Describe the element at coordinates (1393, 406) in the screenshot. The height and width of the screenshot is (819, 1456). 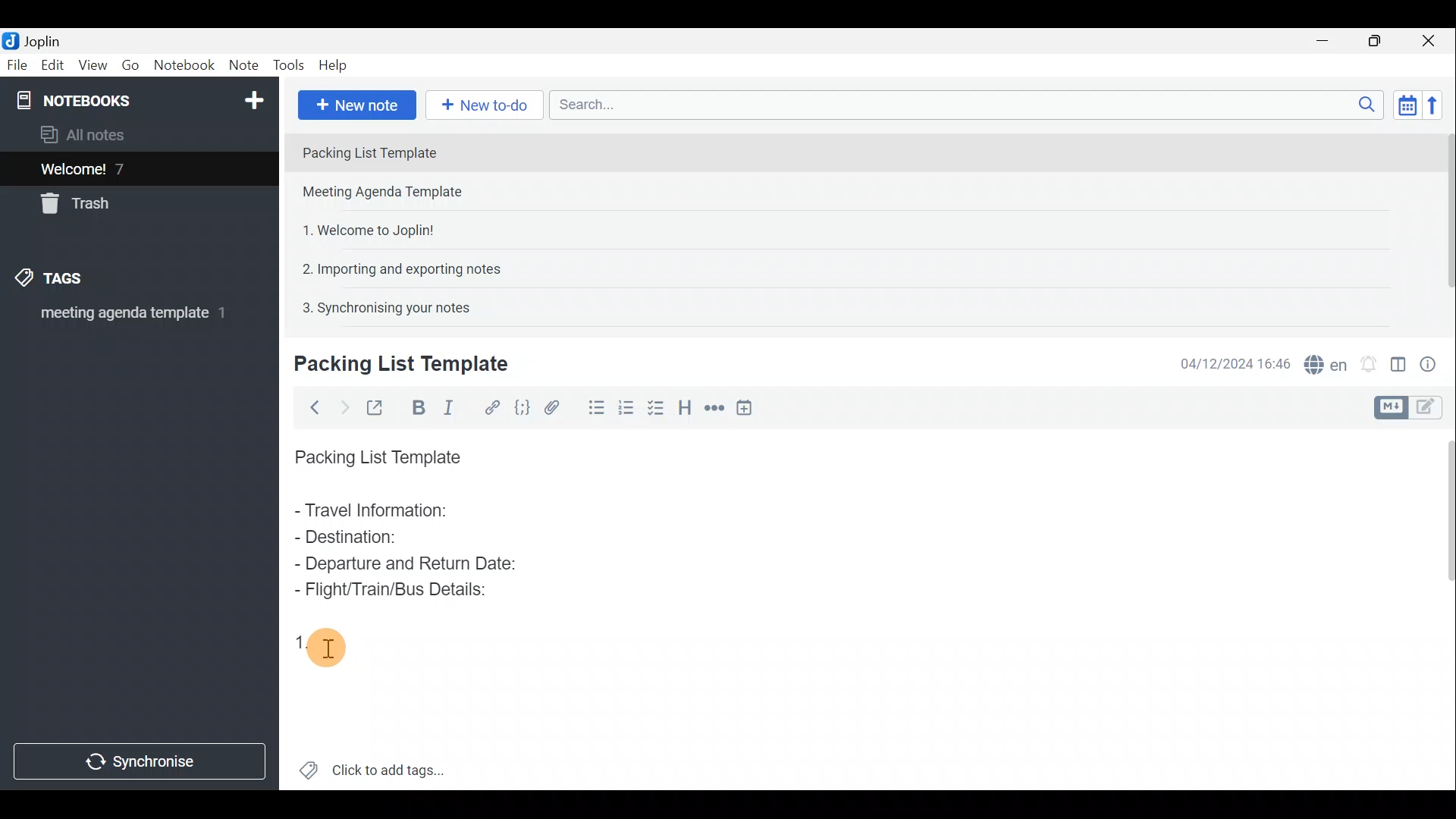
I see `Toggle editors` at that location.